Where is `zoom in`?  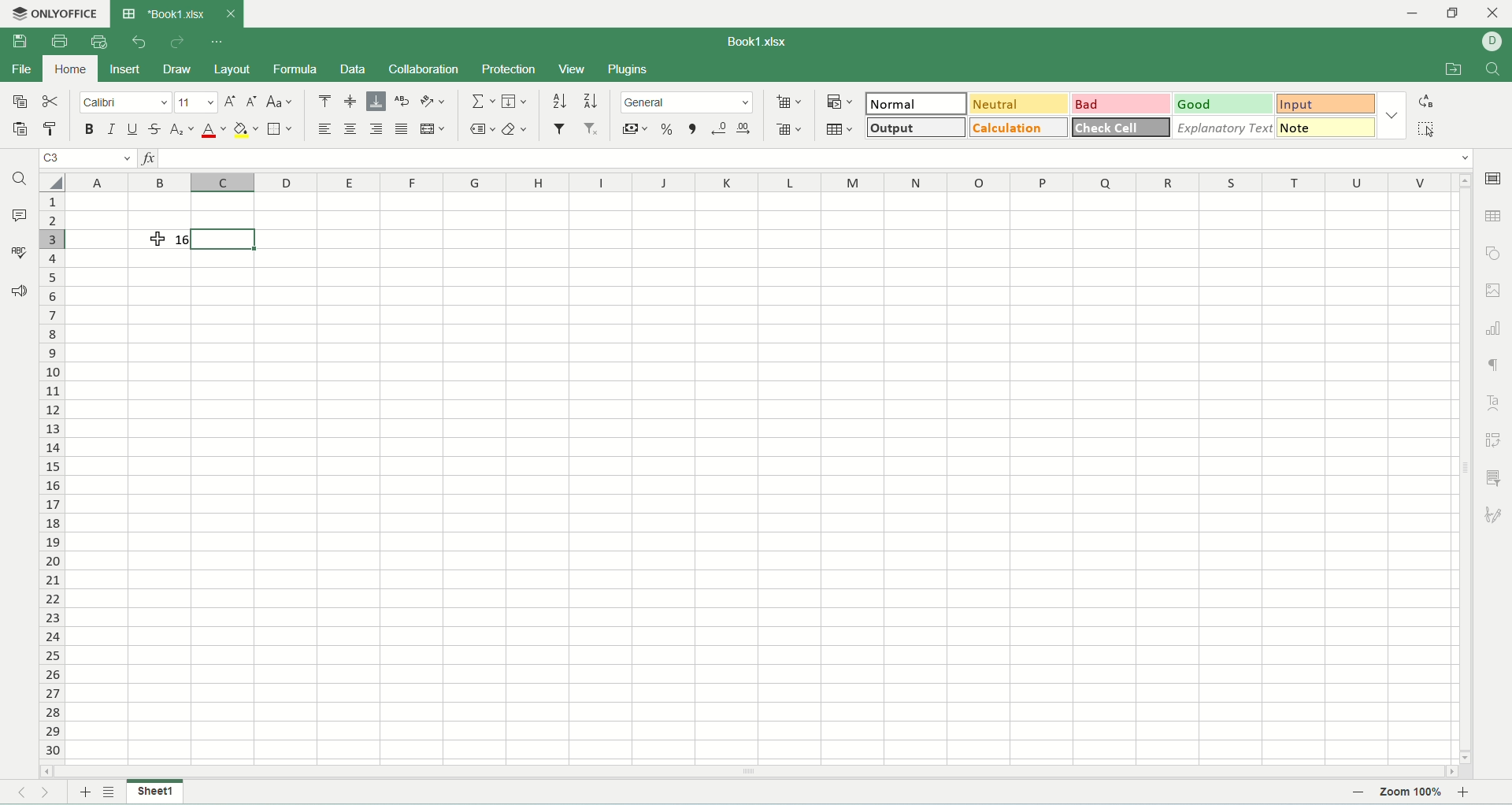 zoom in is located at coordinates (1466, 792).